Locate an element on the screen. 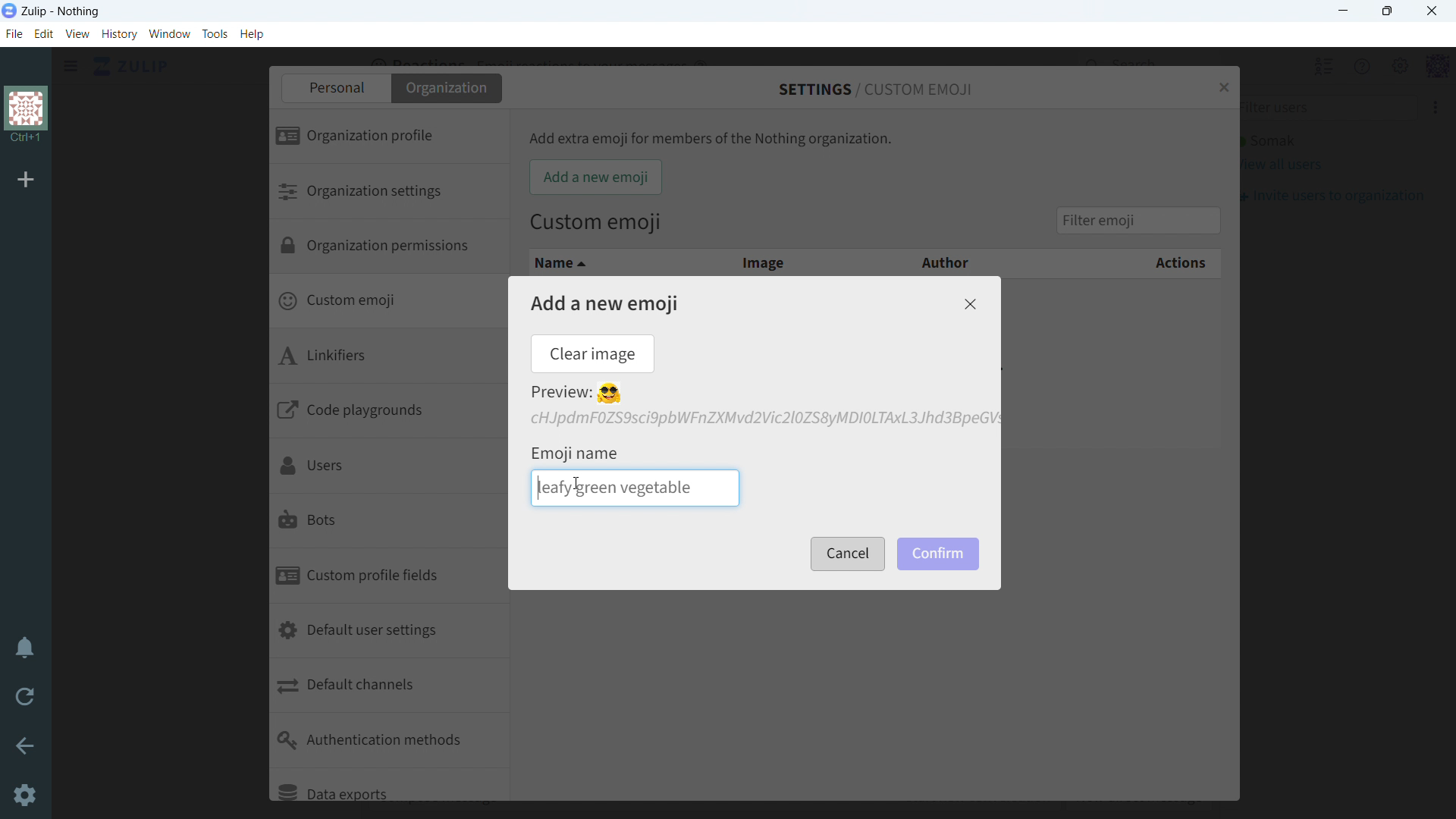 The height and width of the screenshot is (819, 1456). settings is located at coordinates (23, 795).